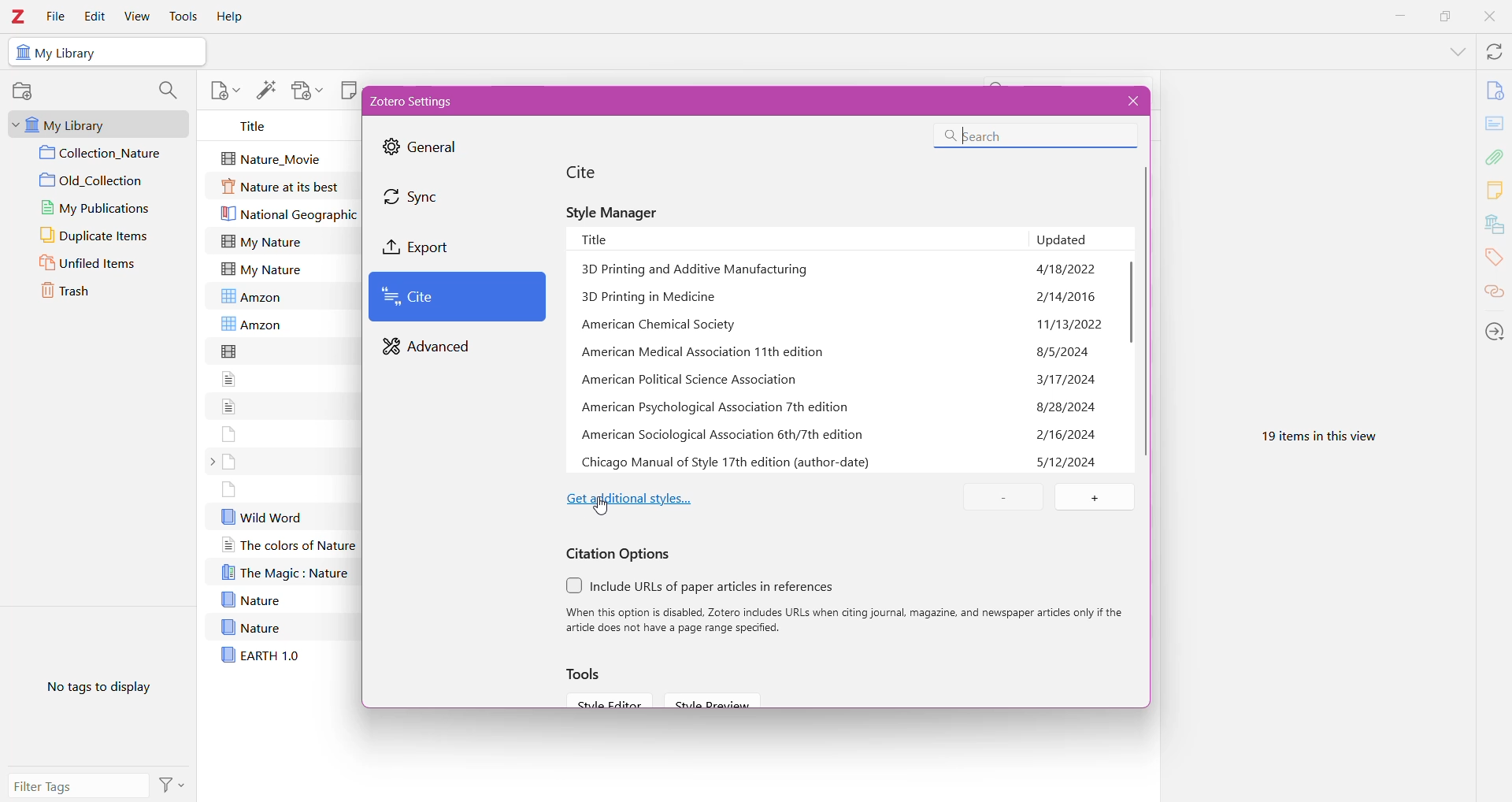 The image size is (1512, 802). I want to click on Sync, so click(427, 198).